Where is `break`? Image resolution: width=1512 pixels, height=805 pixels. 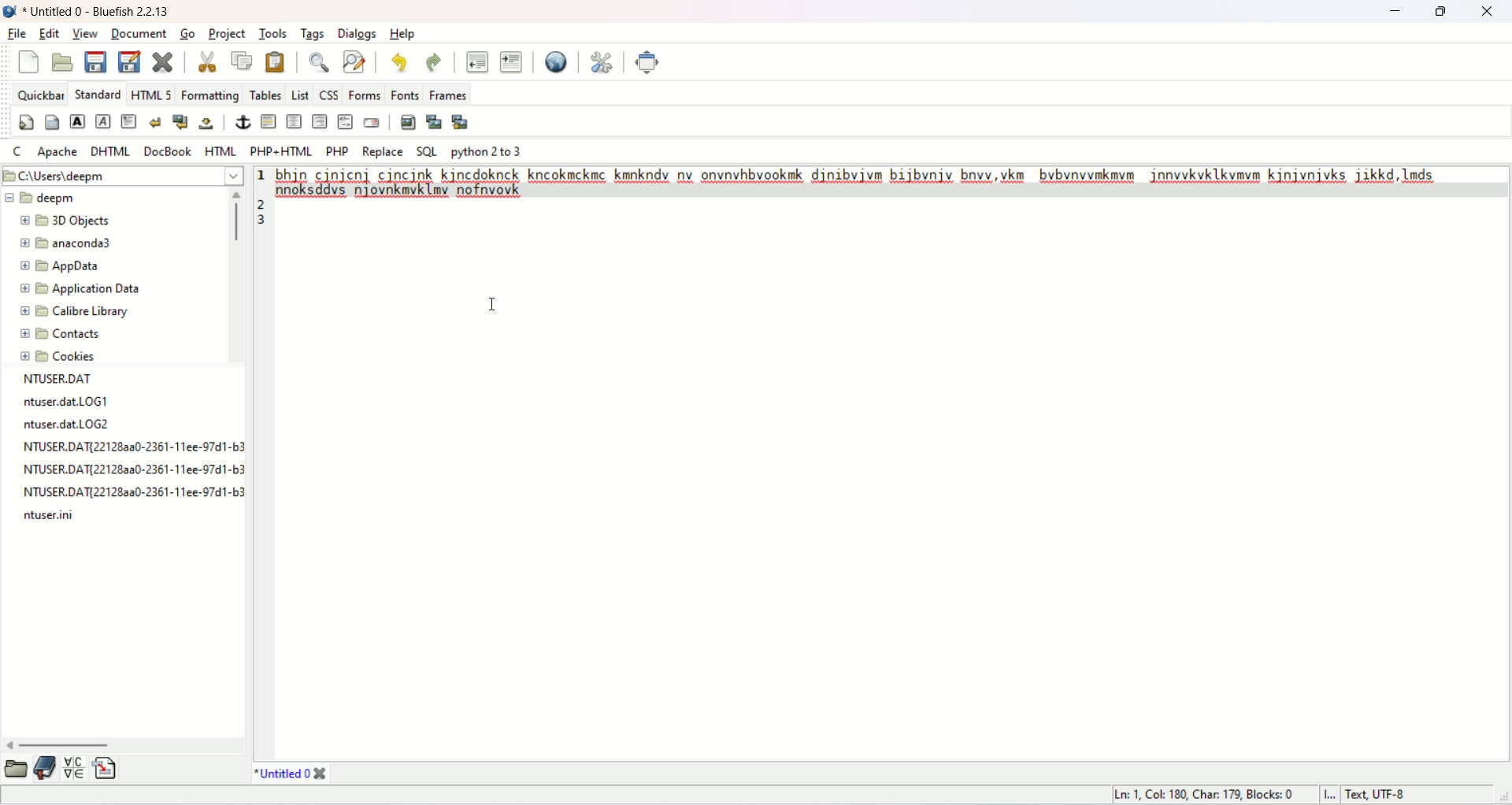
break is located at coordinates (158, 122).